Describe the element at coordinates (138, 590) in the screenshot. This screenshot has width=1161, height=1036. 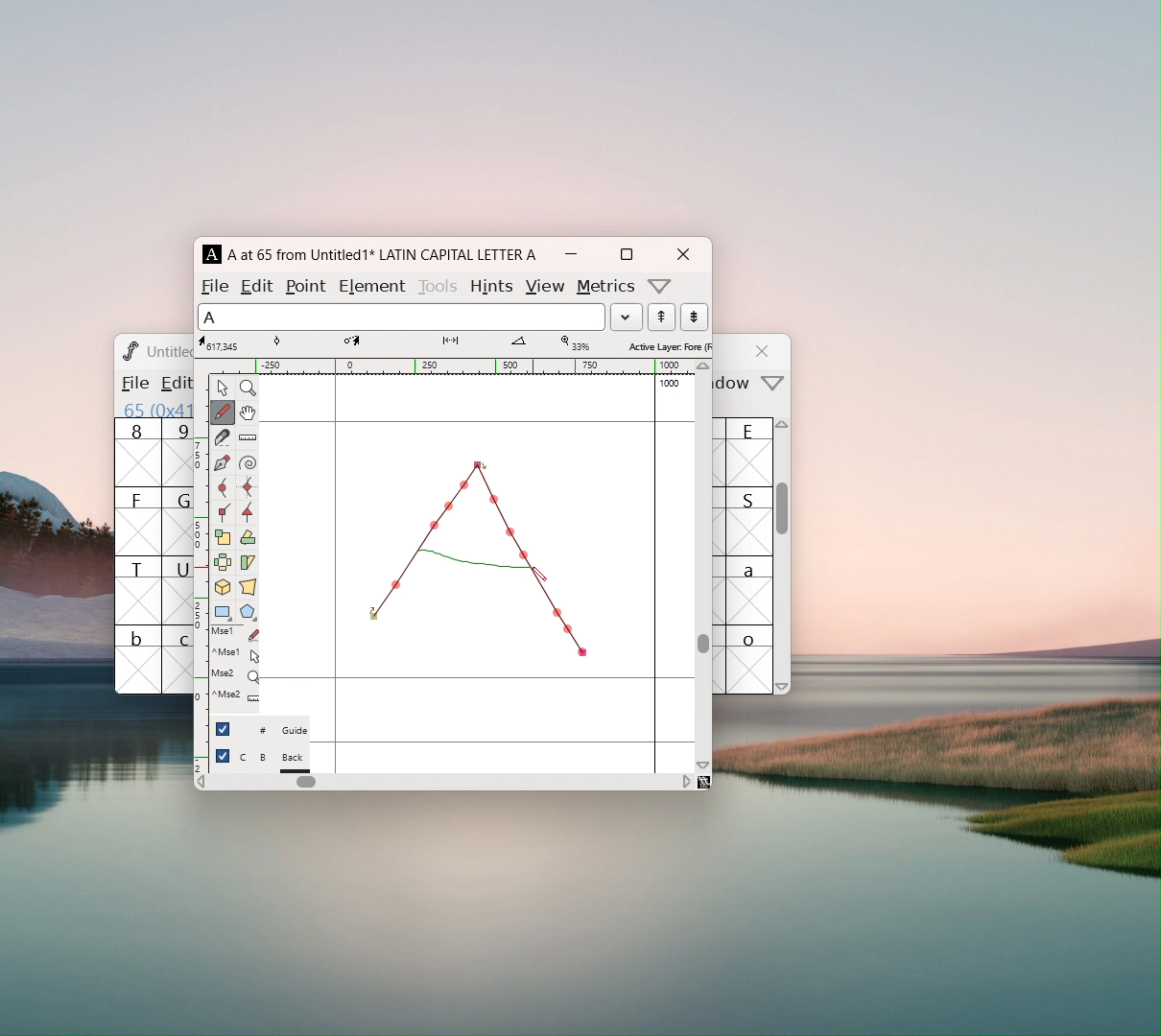
I see `T` at that location.